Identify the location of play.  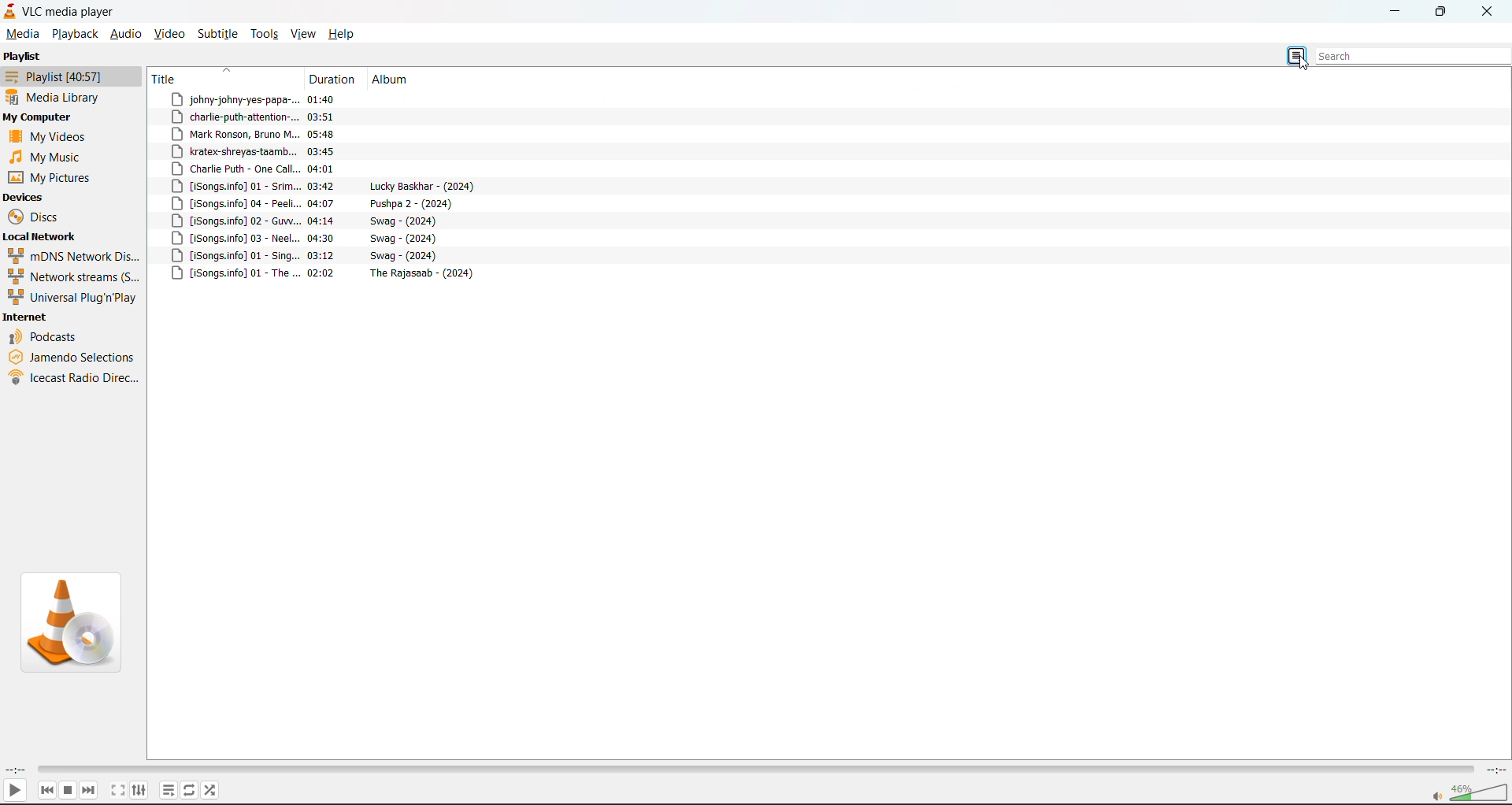
(14, 792).